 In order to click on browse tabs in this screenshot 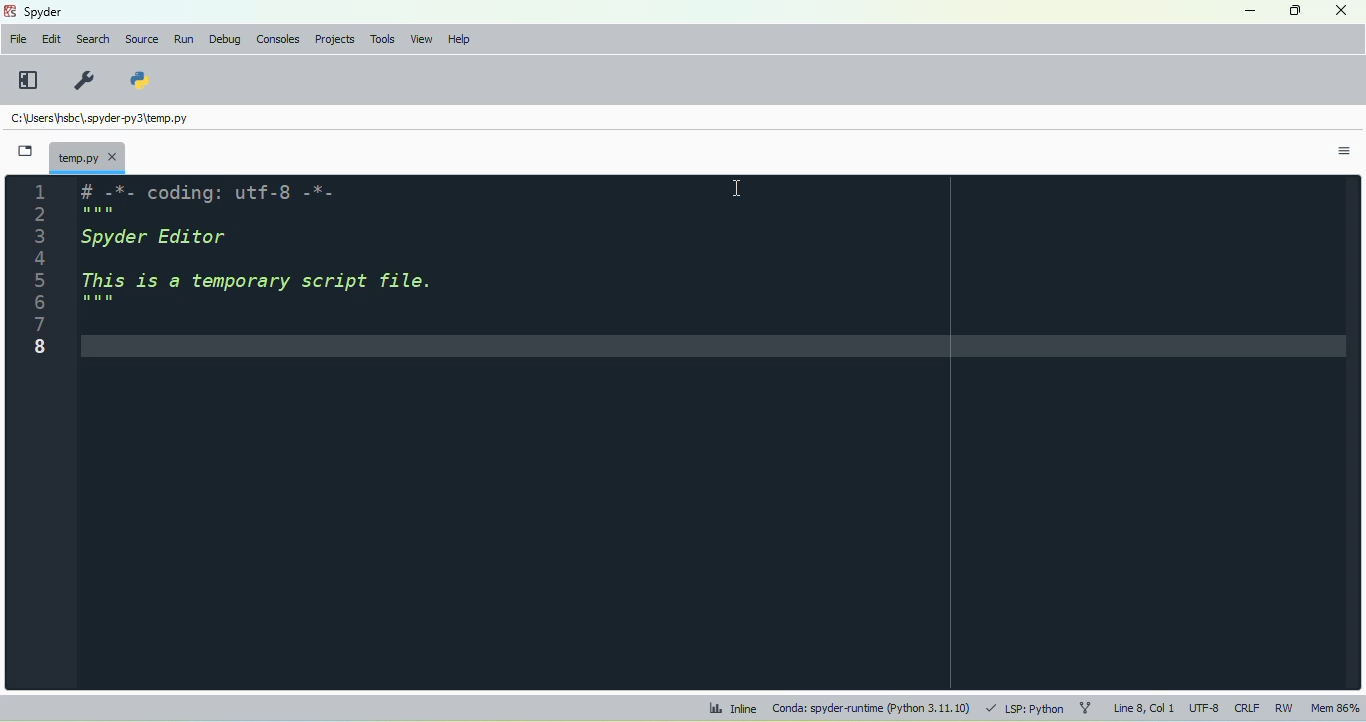, I will do `click(25, 151)`.